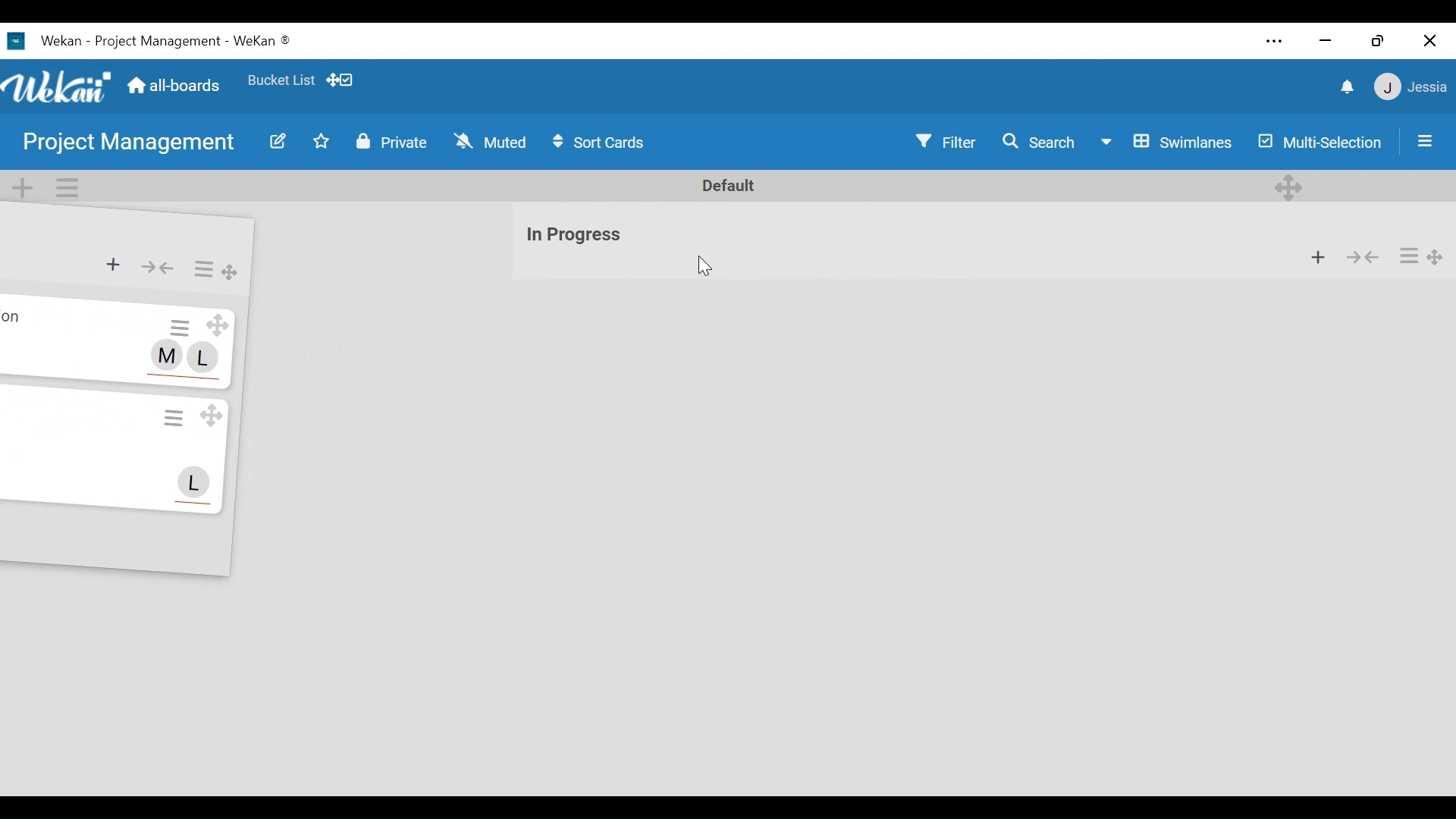 This screenshot has width=1456, height=819. What do you see at coordinates (339, 80) in the screenshot?
I see `Show Desktop drag handles` at bounding box center [339, 80].